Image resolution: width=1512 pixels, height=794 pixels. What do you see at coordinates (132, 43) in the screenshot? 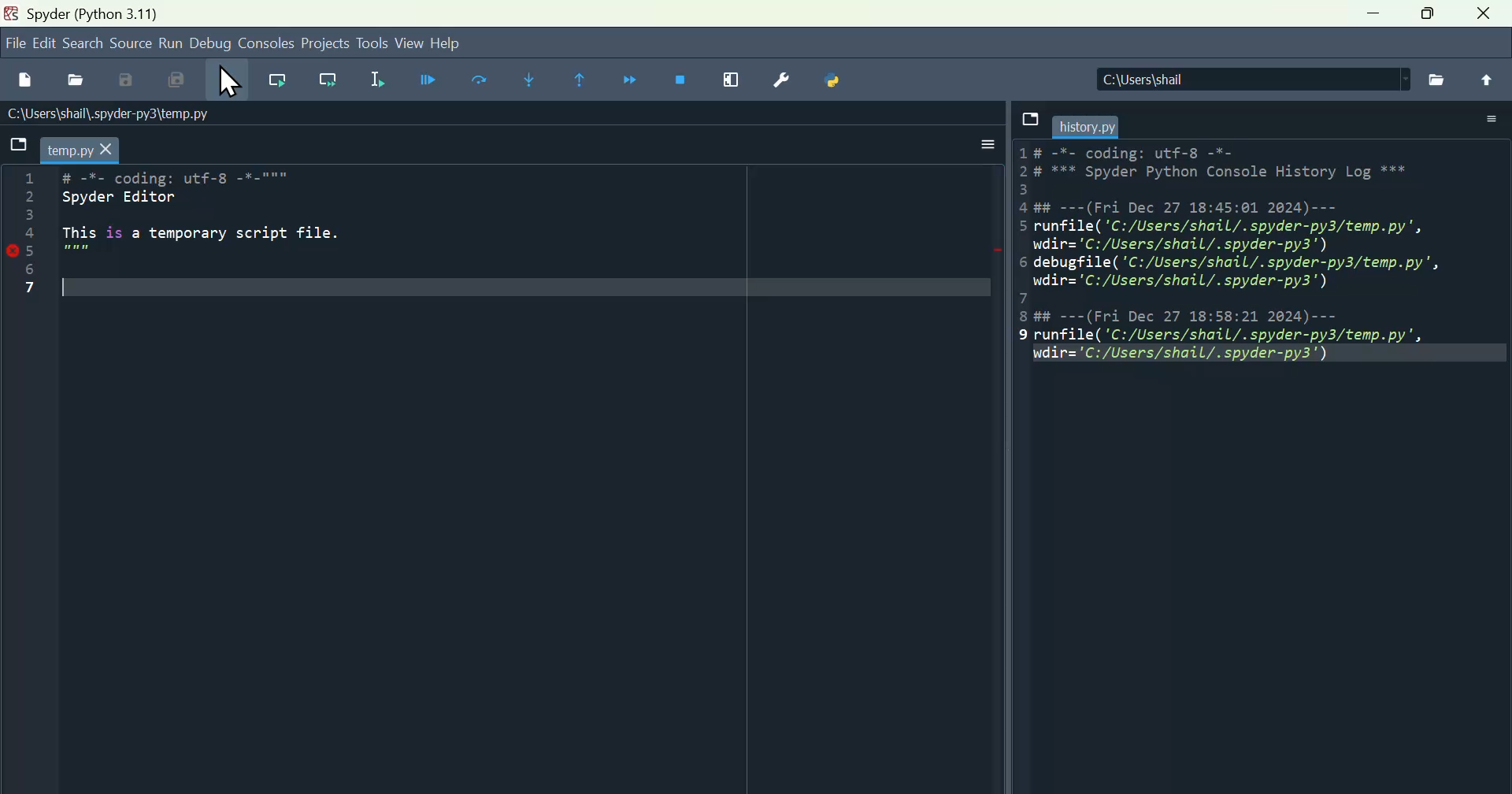
I see `Source` at bounding box center [132, 43].